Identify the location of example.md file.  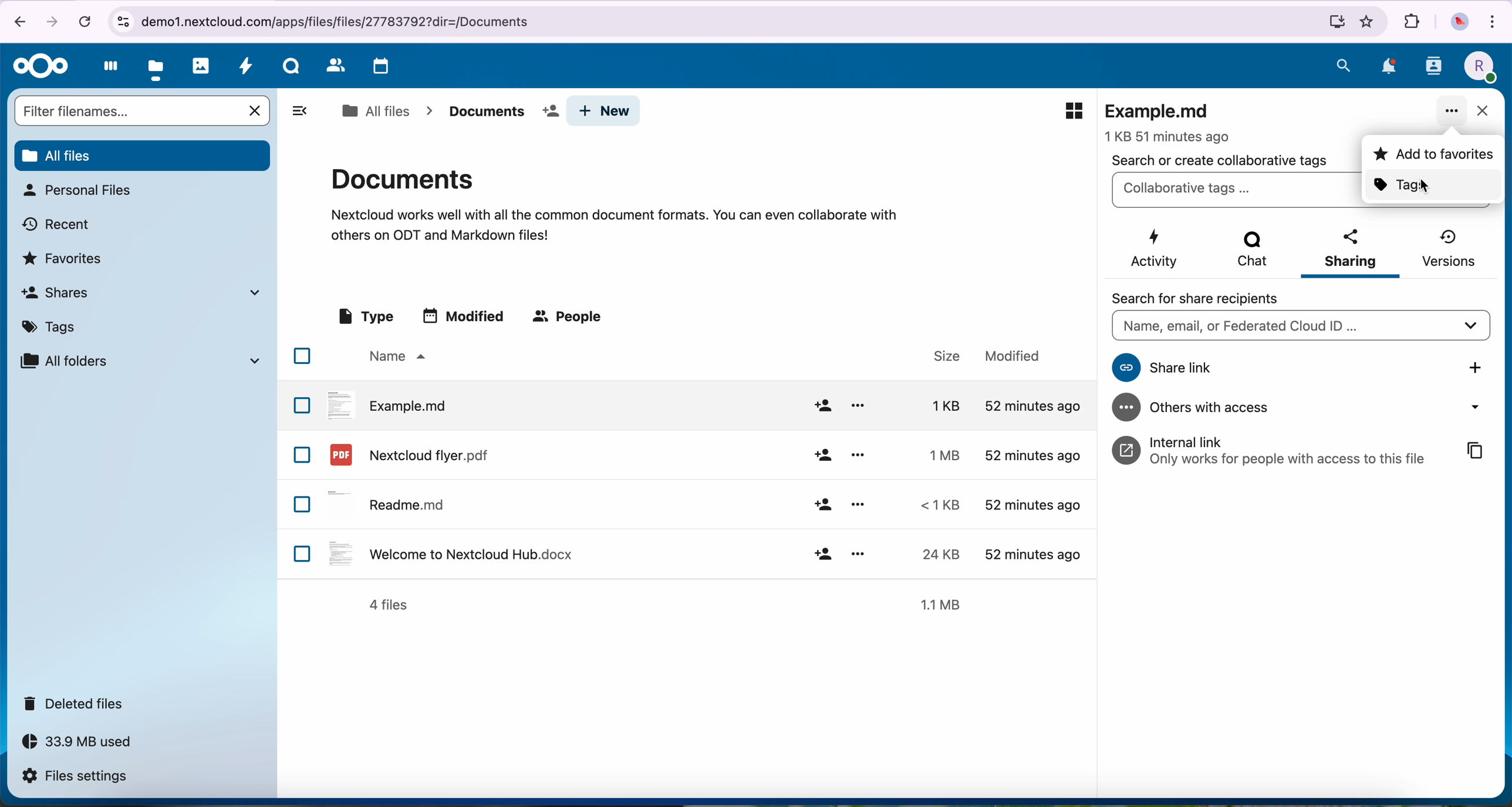
(1171, 120).